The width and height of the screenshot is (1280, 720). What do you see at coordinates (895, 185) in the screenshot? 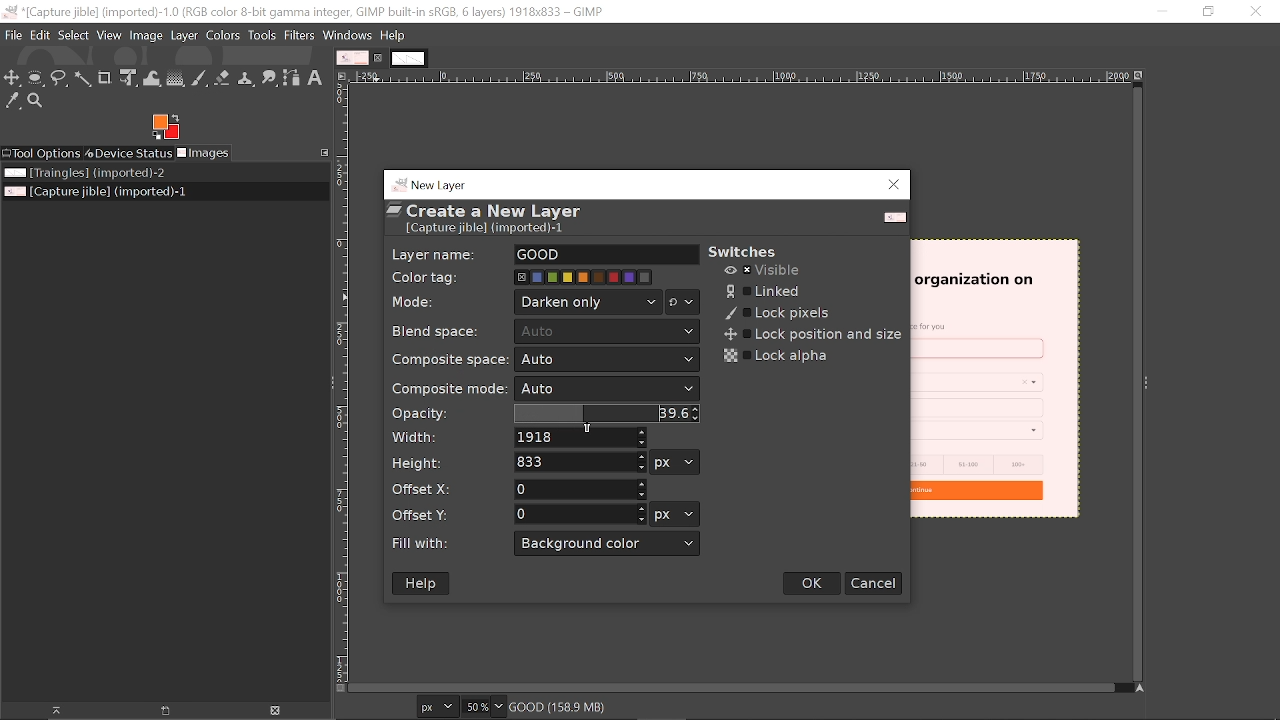
I see `Close` at bounding box center [895, 185].